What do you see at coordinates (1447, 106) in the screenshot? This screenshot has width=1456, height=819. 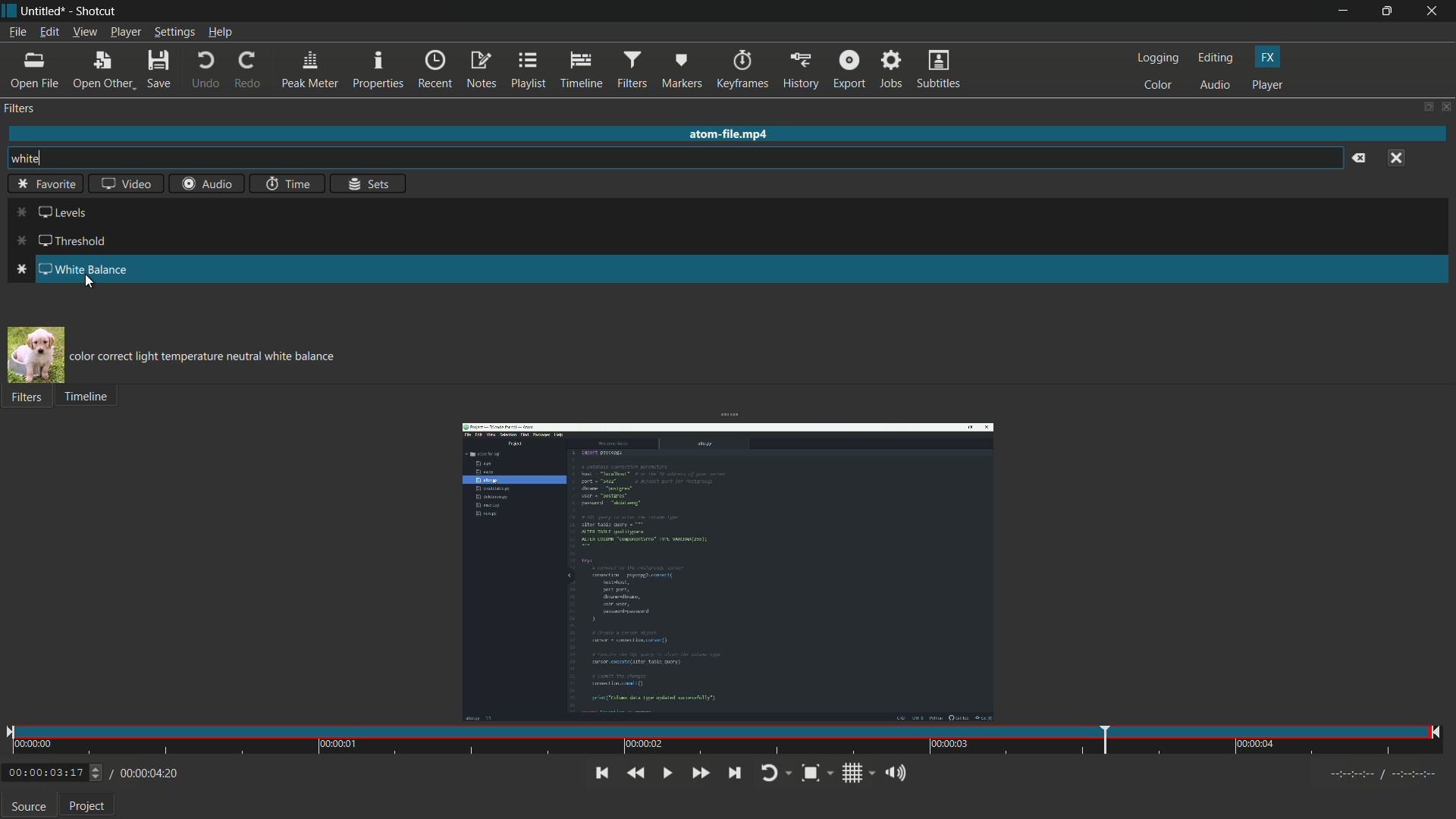 I see `close panel` at bounding box center [1447, 106].